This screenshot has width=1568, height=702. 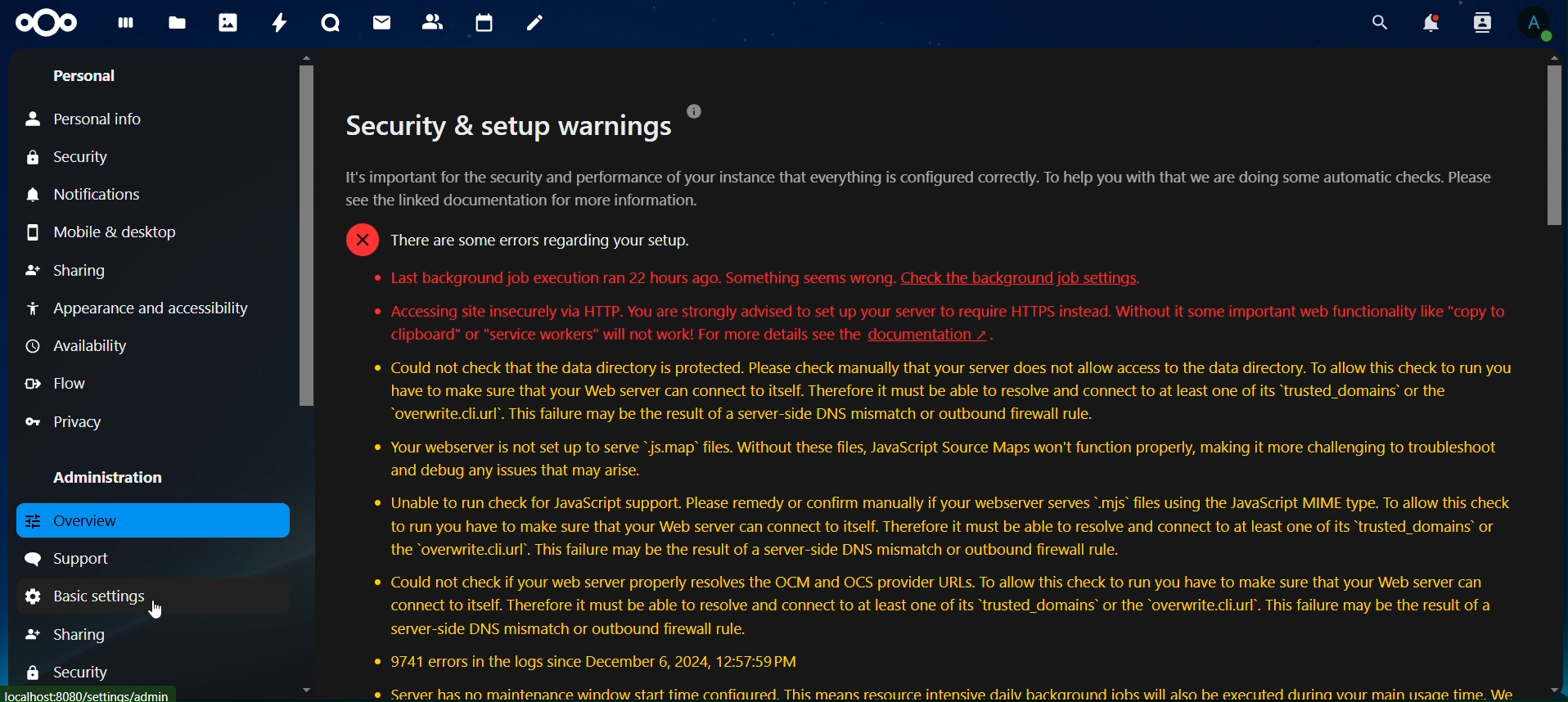 I want to click on activity, so click(x=282, y=23).